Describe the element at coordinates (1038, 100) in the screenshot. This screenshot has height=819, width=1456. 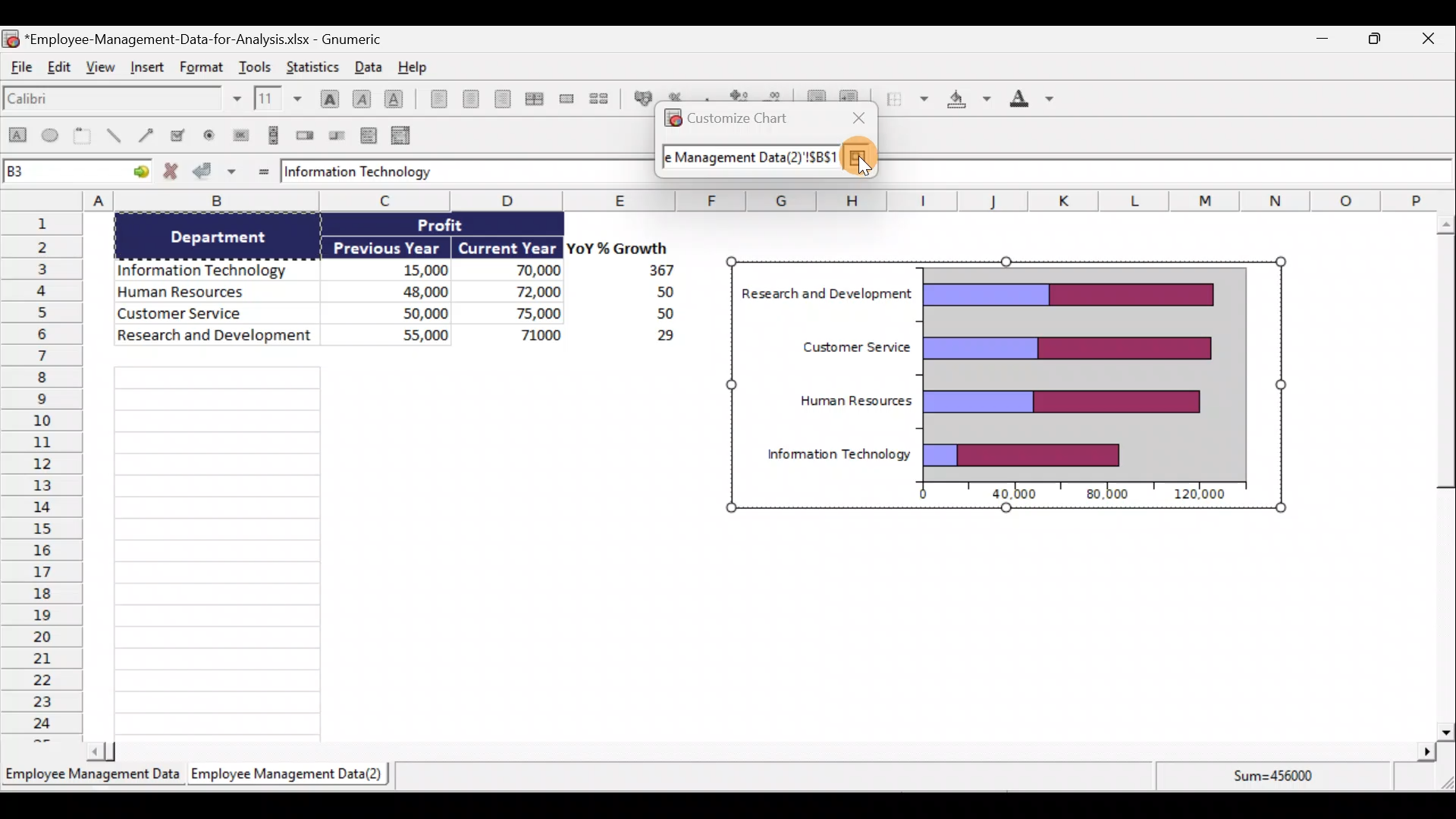
I see `Foreground` at that location.